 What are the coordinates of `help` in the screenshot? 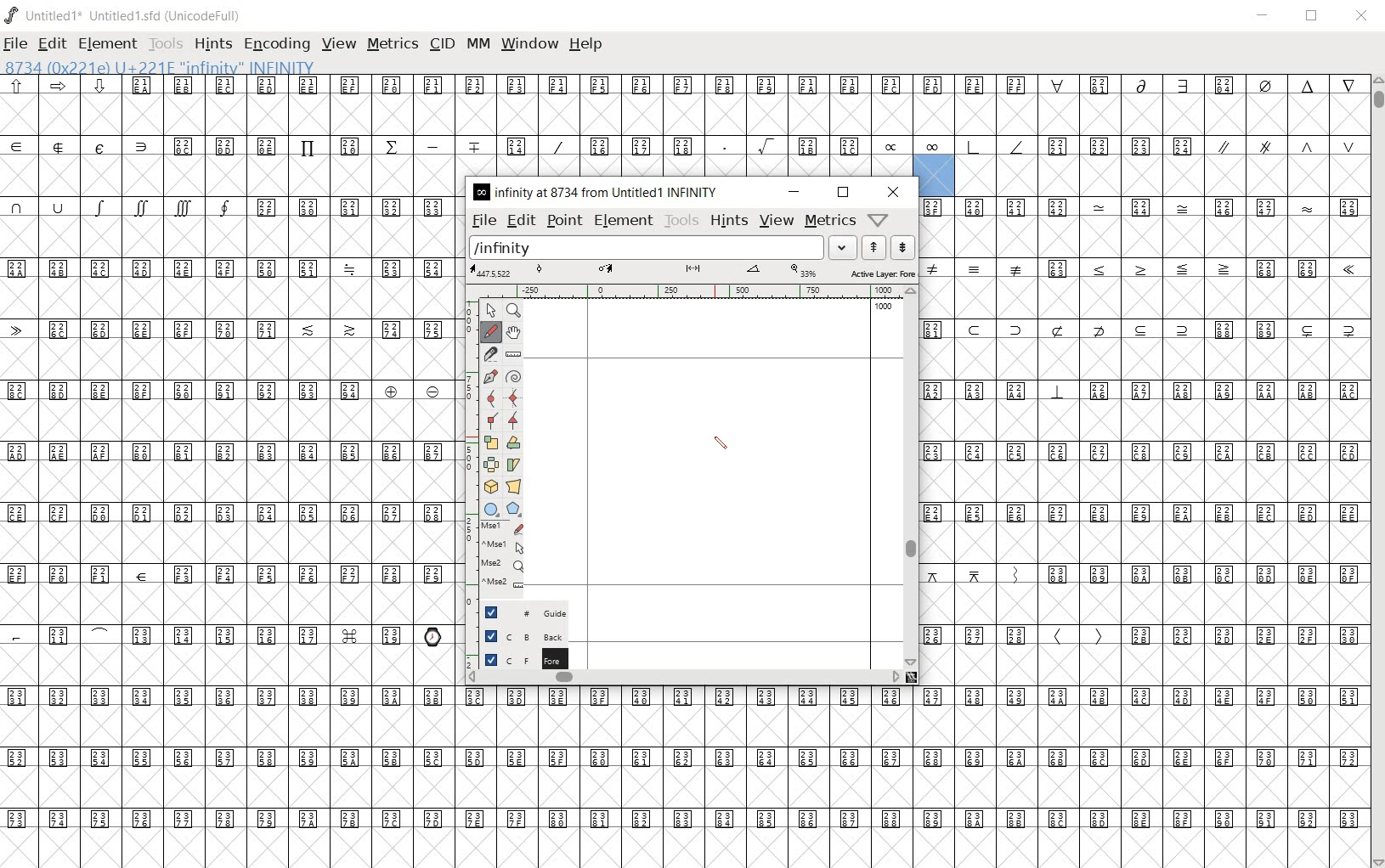 It's located at (586, 43).